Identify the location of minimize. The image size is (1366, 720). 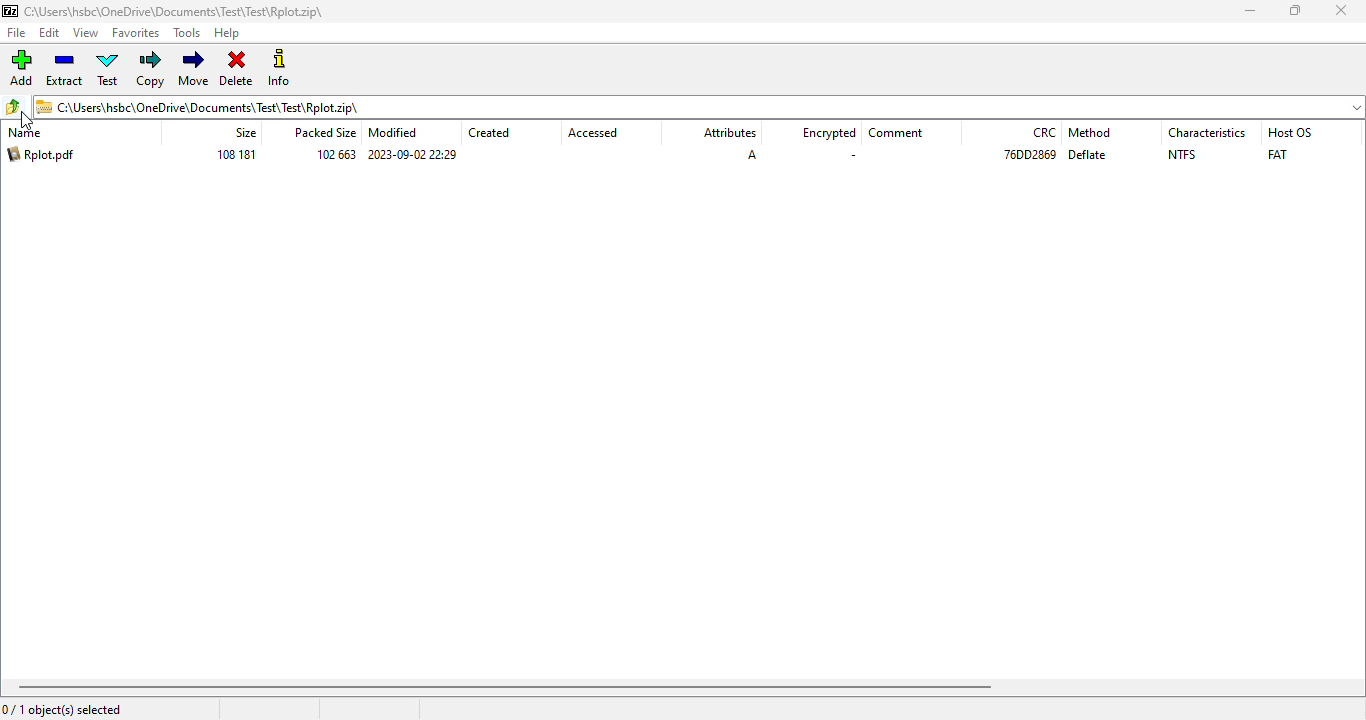
(1249, 11).